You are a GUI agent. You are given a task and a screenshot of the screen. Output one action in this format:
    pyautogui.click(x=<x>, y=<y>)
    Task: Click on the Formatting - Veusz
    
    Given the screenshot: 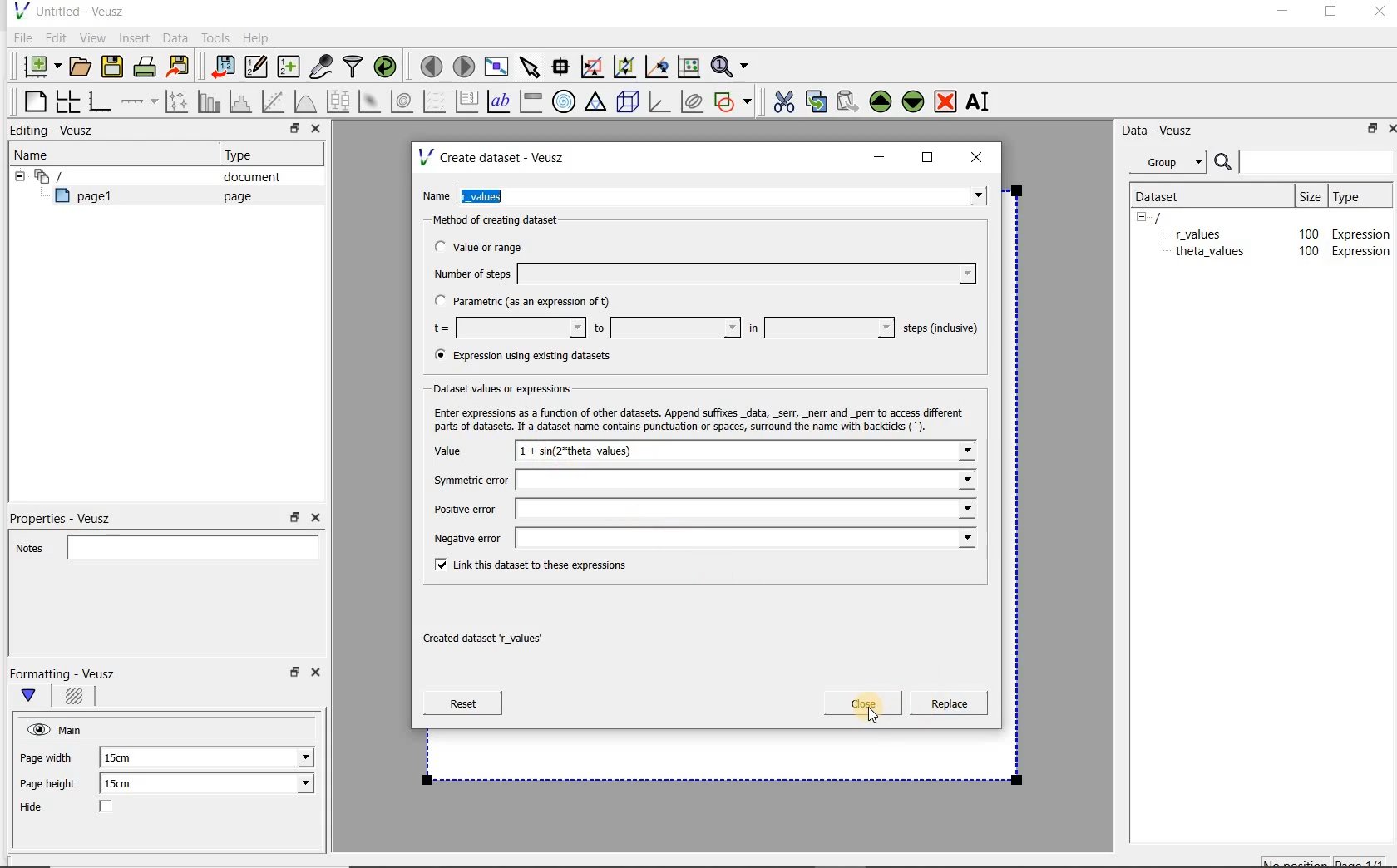 What is the action you would take?
    pyautogui.click(x=65, y=673)
    